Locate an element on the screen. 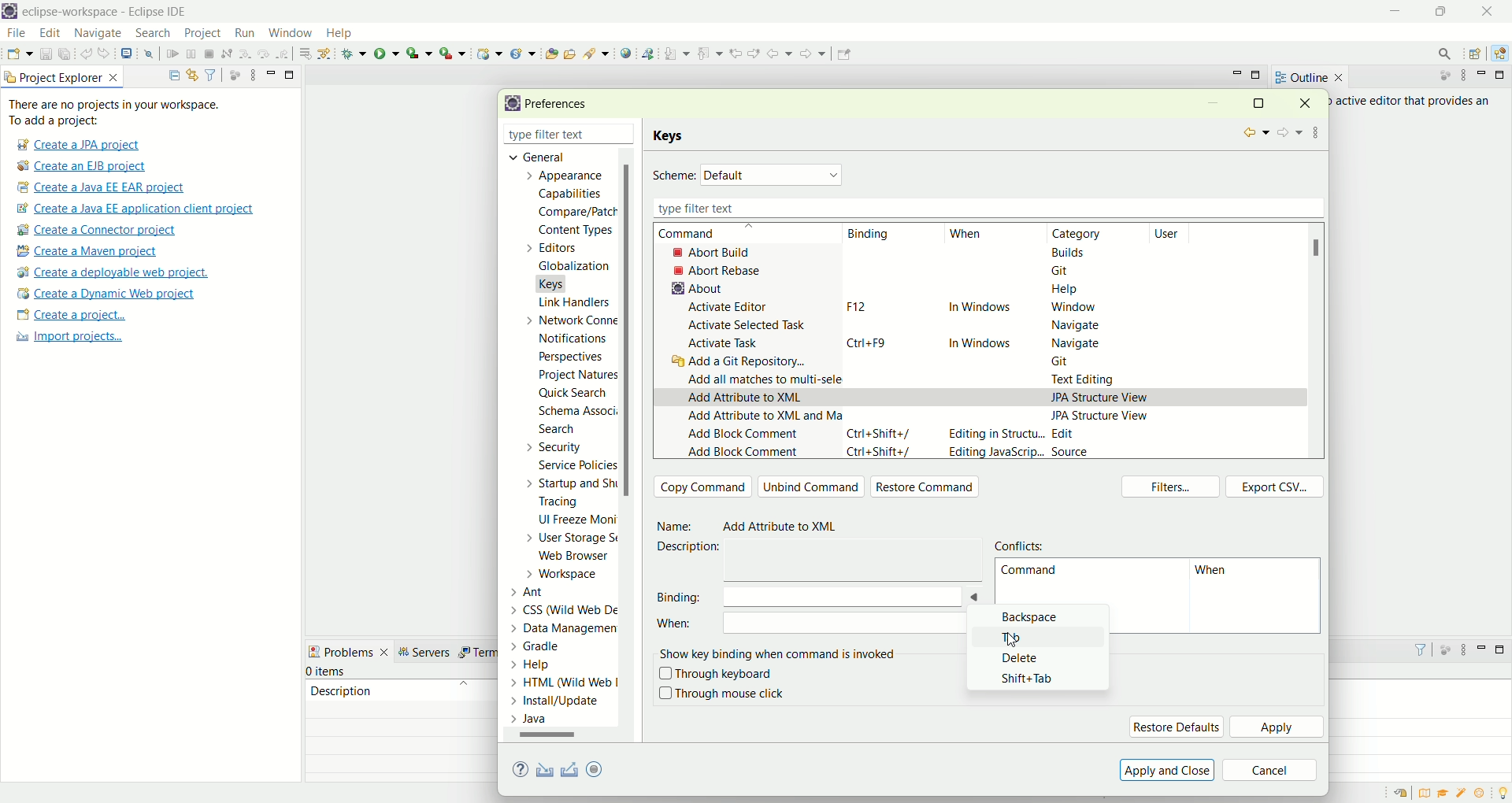 The image size is (1512, 803). redo is located at coordinates (107, 54).